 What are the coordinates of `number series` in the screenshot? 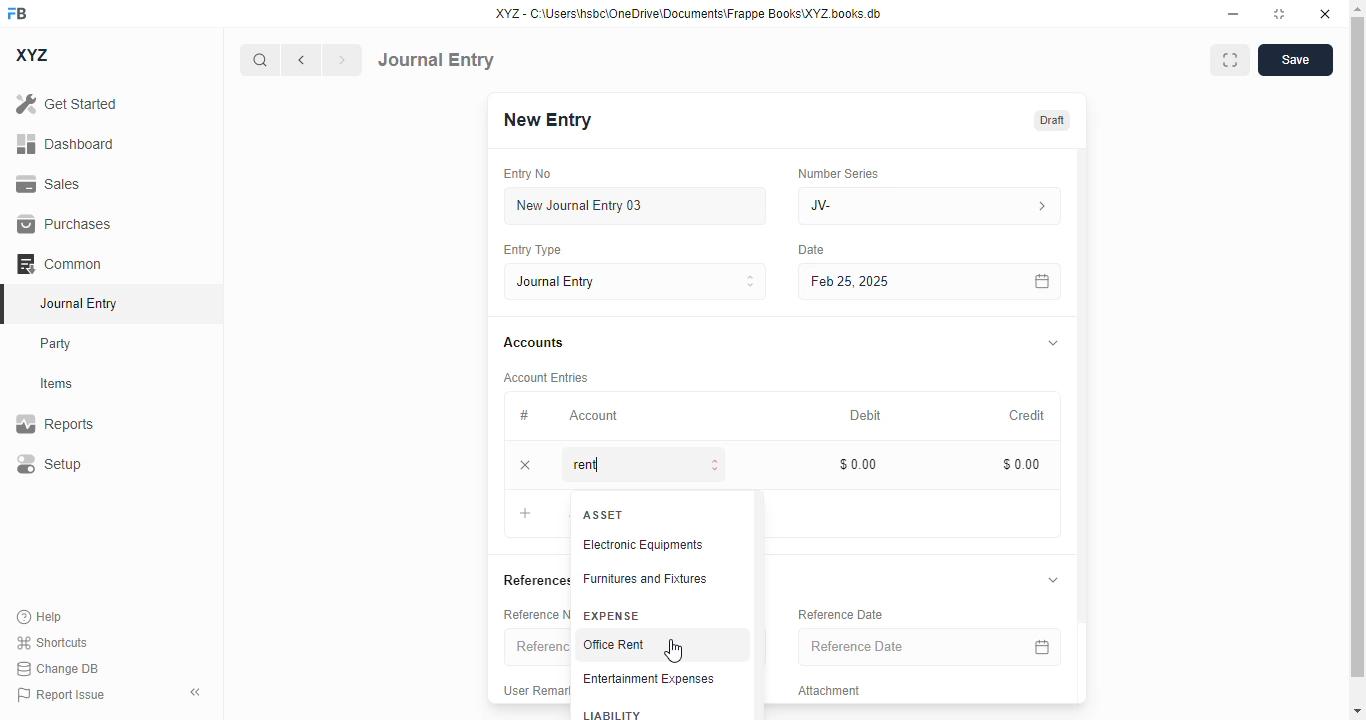 It's located at (835, 173).